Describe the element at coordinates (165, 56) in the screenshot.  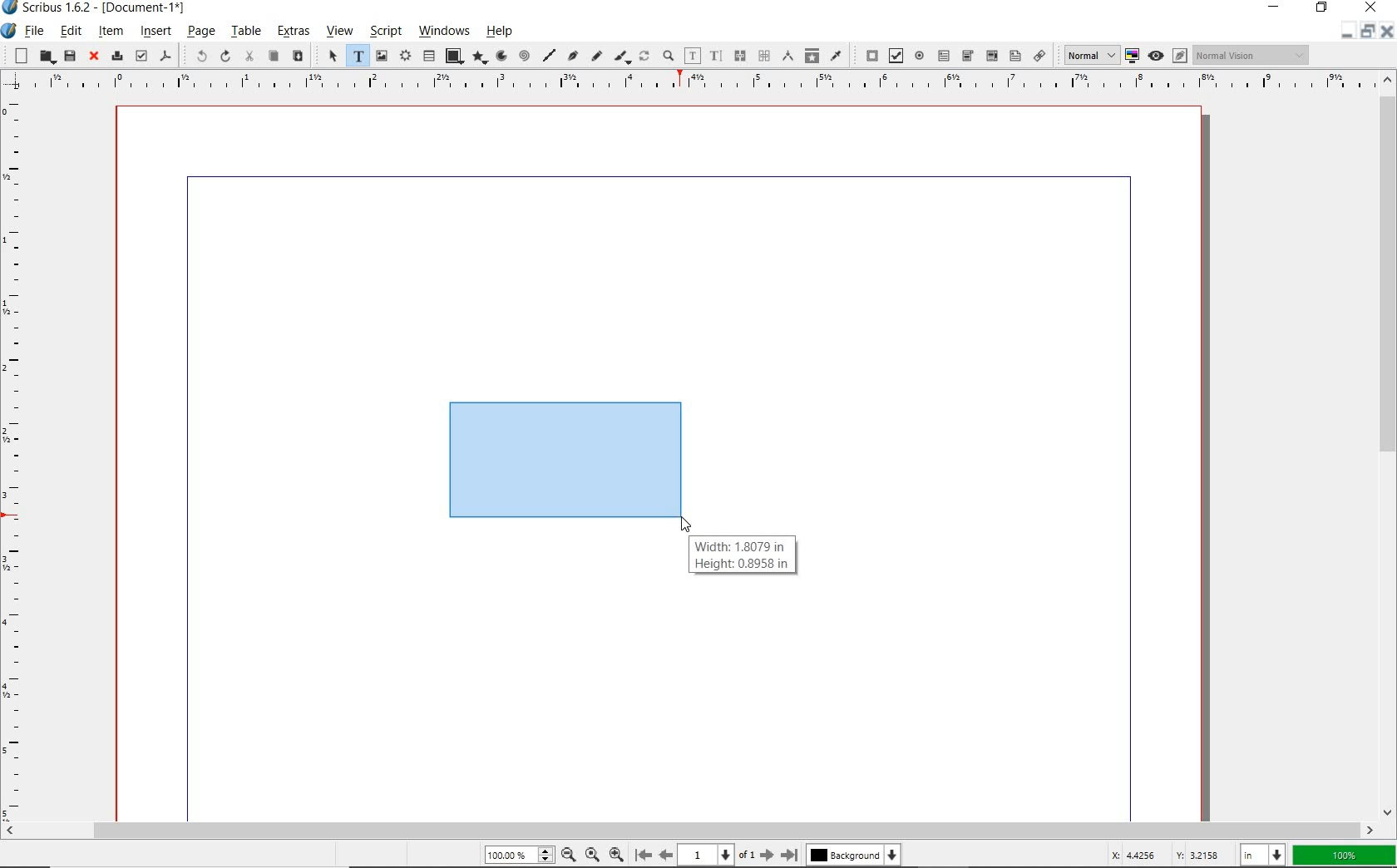
I see `save as pdf` at that location.